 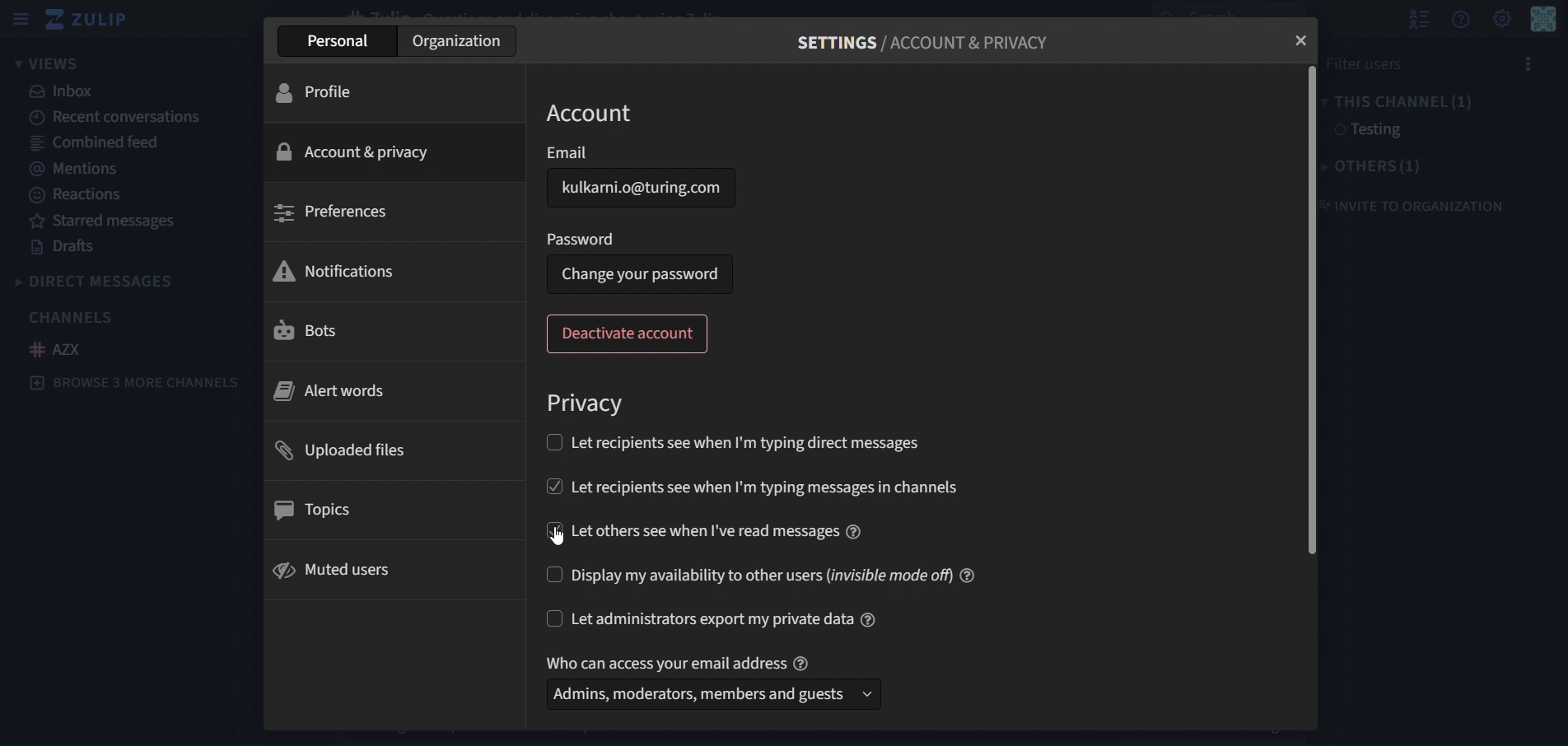 I want to click on let recipients see when I'm typing messages in channels, so click(x=798, y=483).